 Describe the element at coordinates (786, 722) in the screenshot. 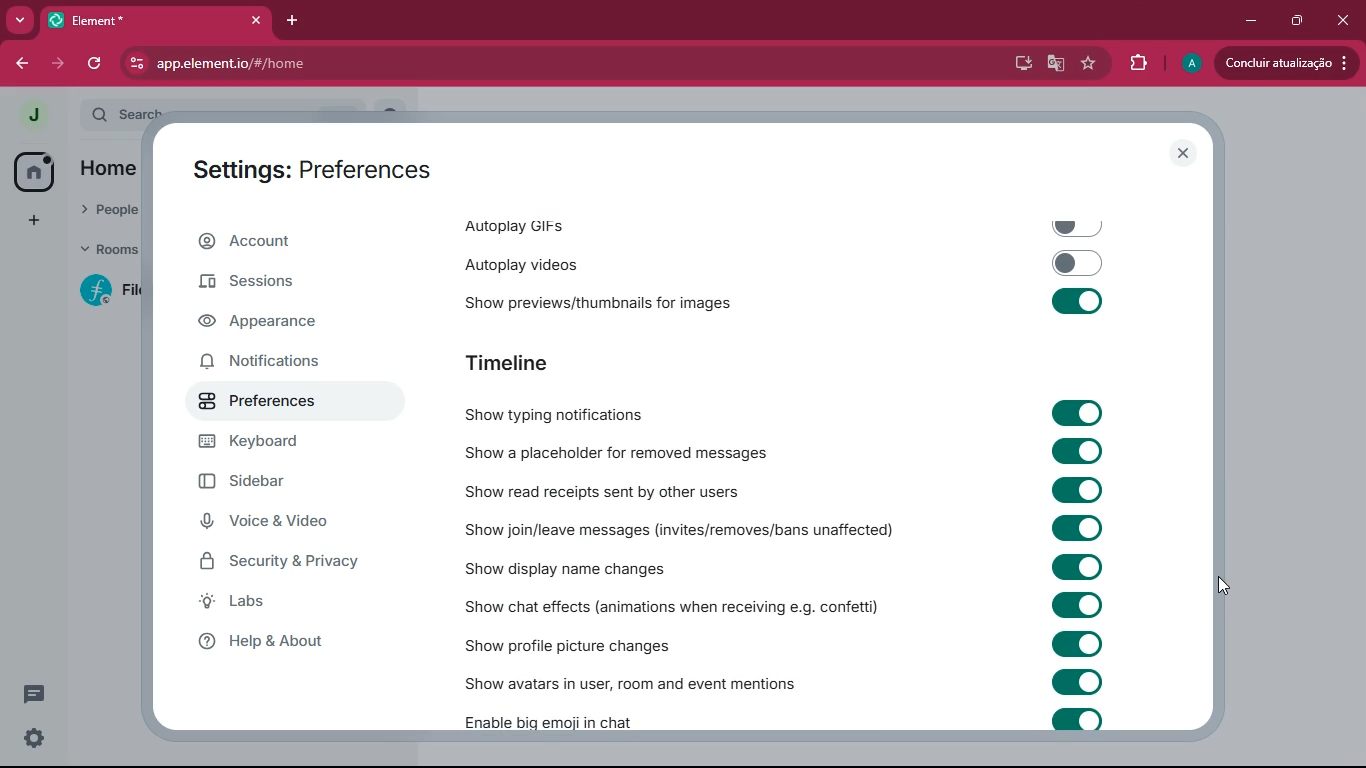

I see `Enable big emoji in chat ` at that location.